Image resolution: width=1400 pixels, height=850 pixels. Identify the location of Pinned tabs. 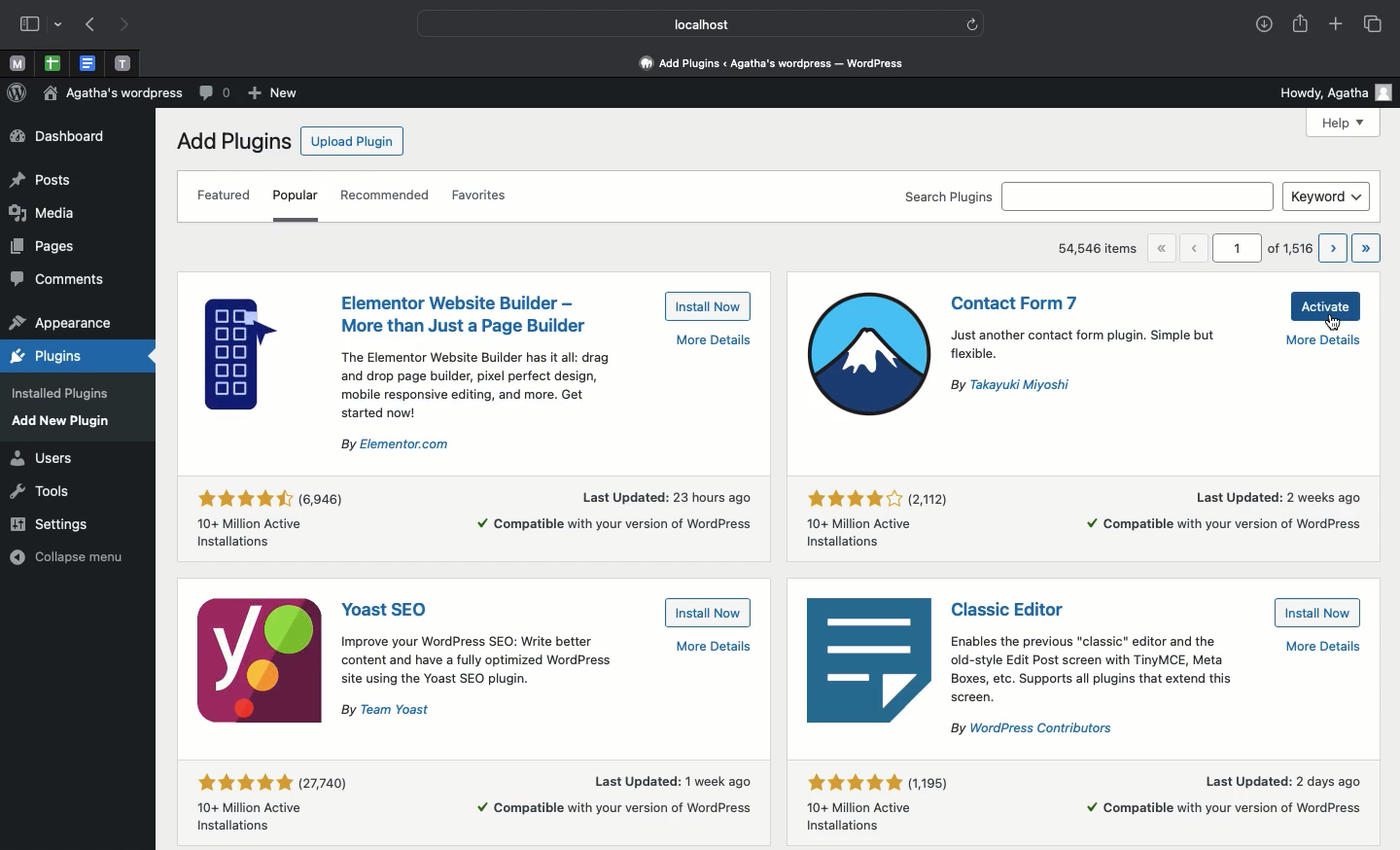
(89, 64).